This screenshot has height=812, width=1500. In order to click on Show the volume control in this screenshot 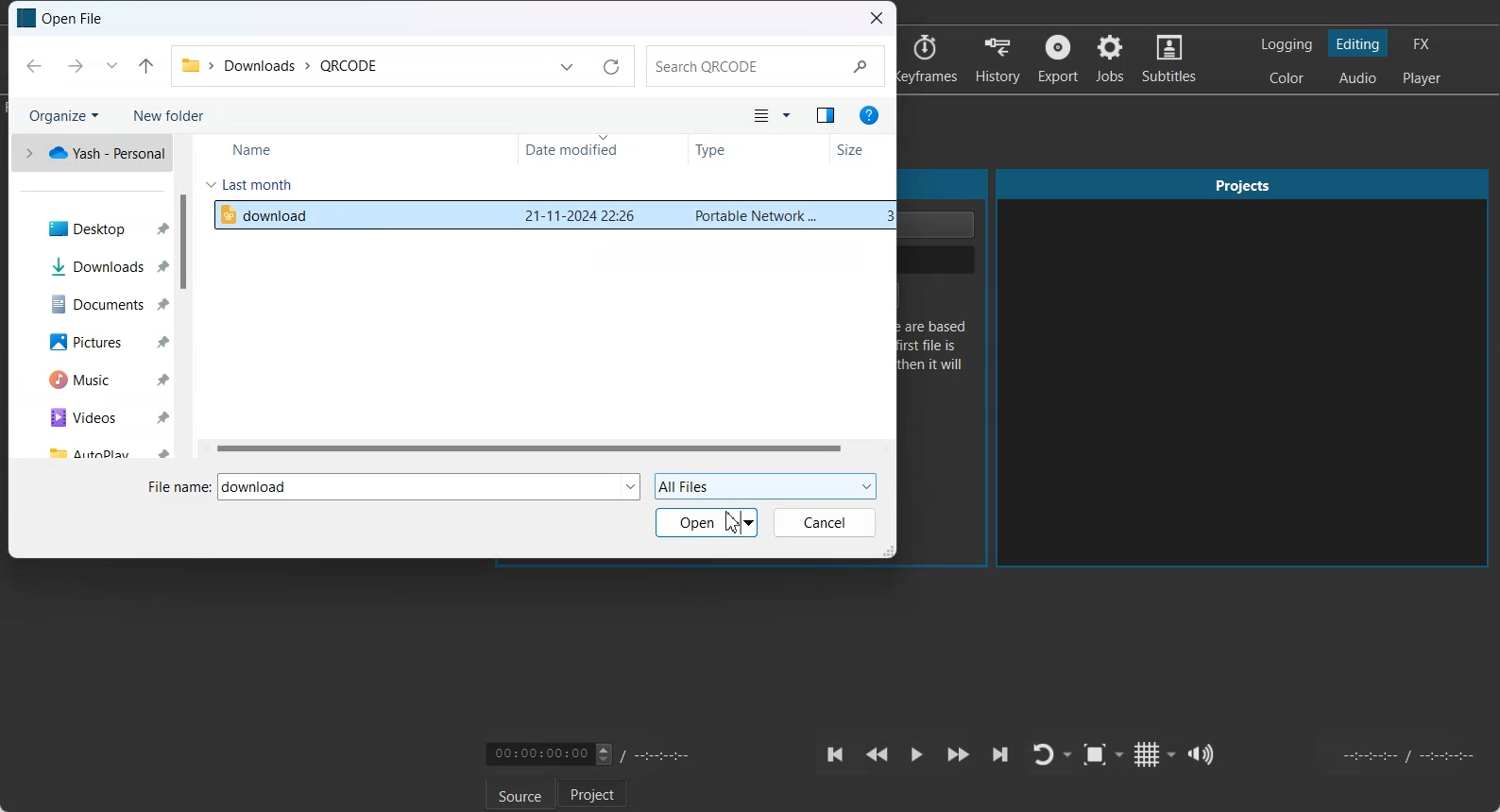, I will do `click(1202, 754)`.